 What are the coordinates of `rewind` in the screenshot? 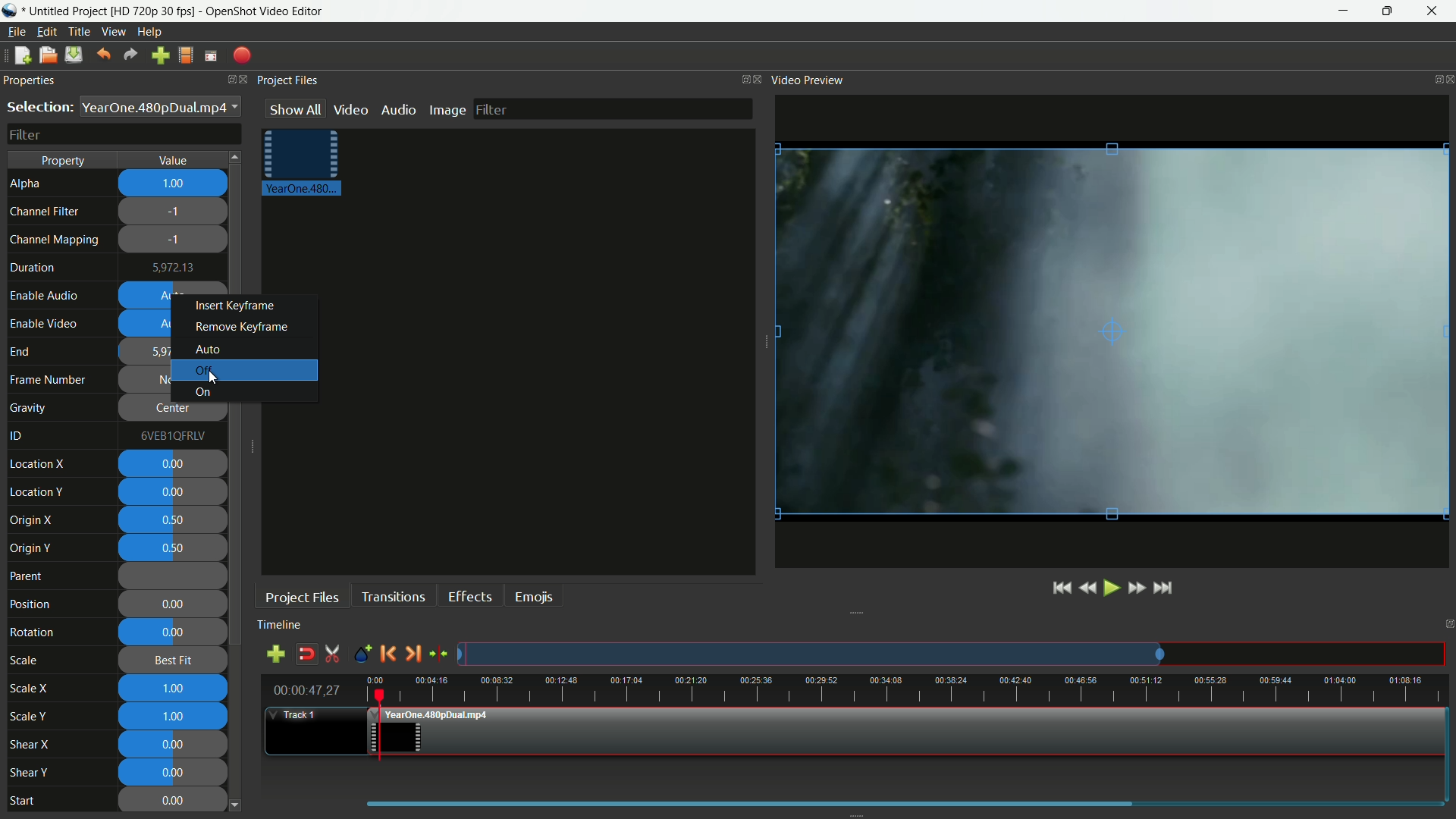 It's located at (1015, 588).